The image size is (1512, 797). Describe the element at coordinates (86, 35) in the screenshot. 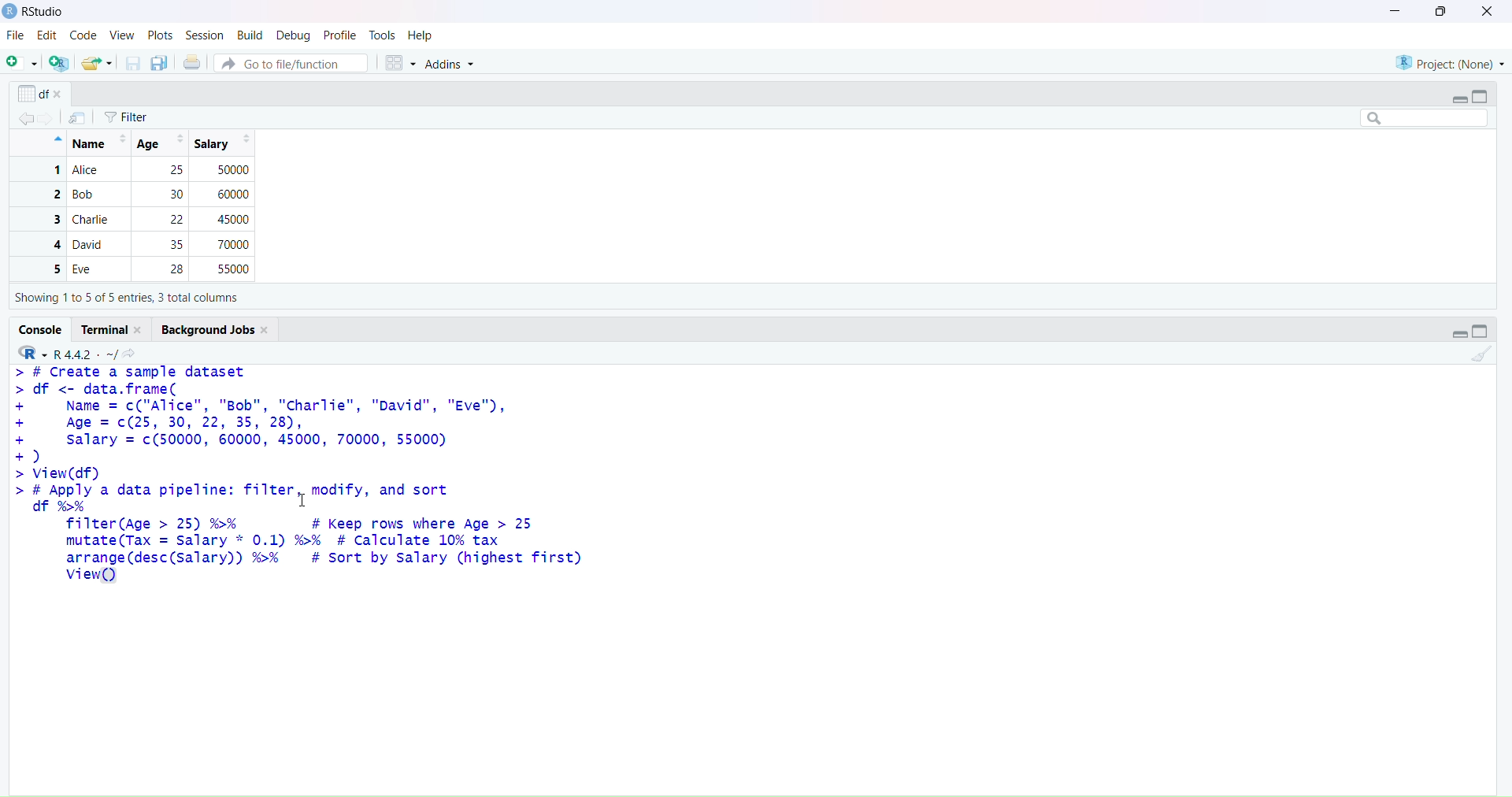

I see `code` at that location.